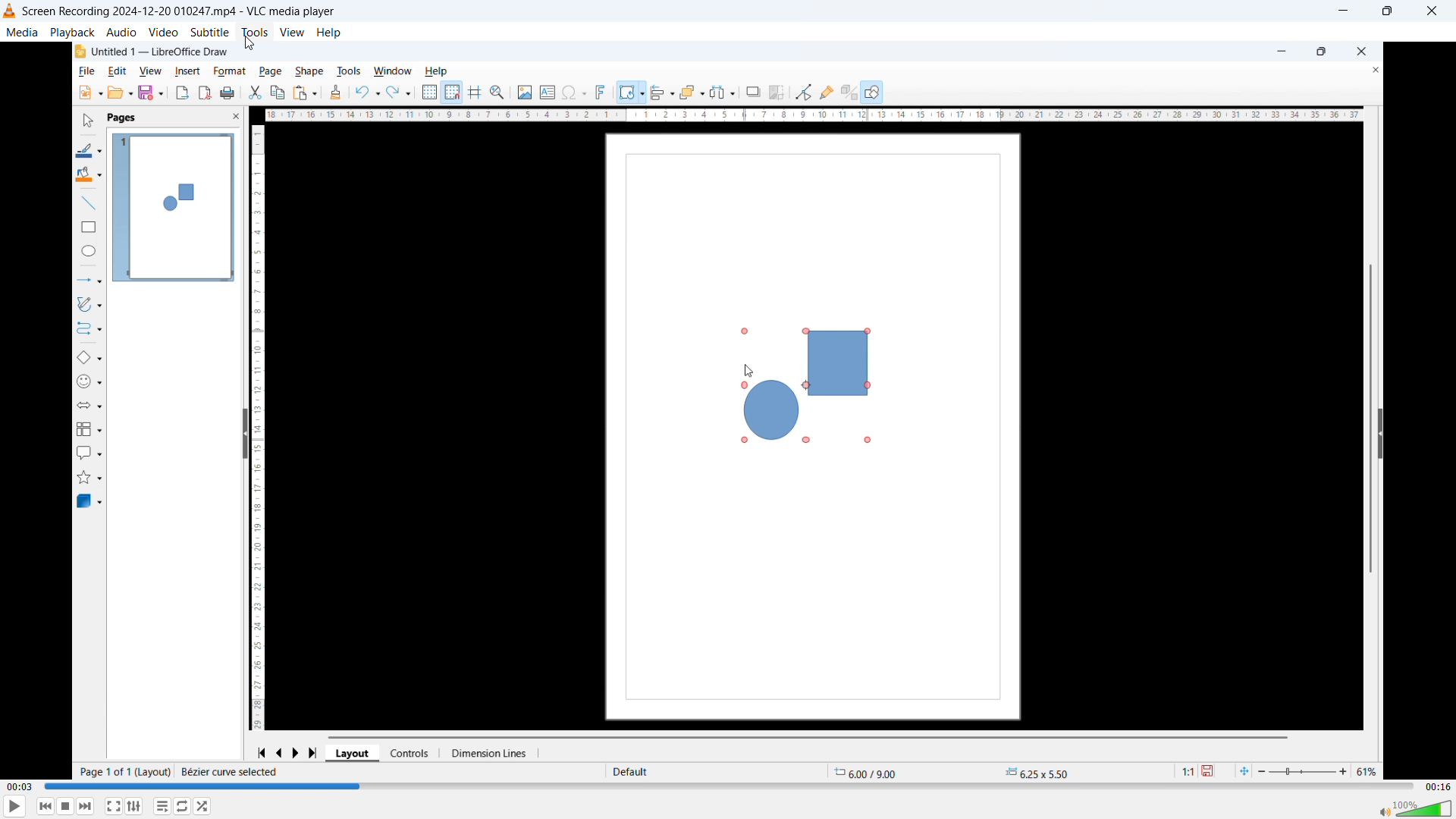 This screenshot has width=1456, height=819. Describe the element at coordinates (133, 807) in the screenshot. I see `Show extended settings` at that location.